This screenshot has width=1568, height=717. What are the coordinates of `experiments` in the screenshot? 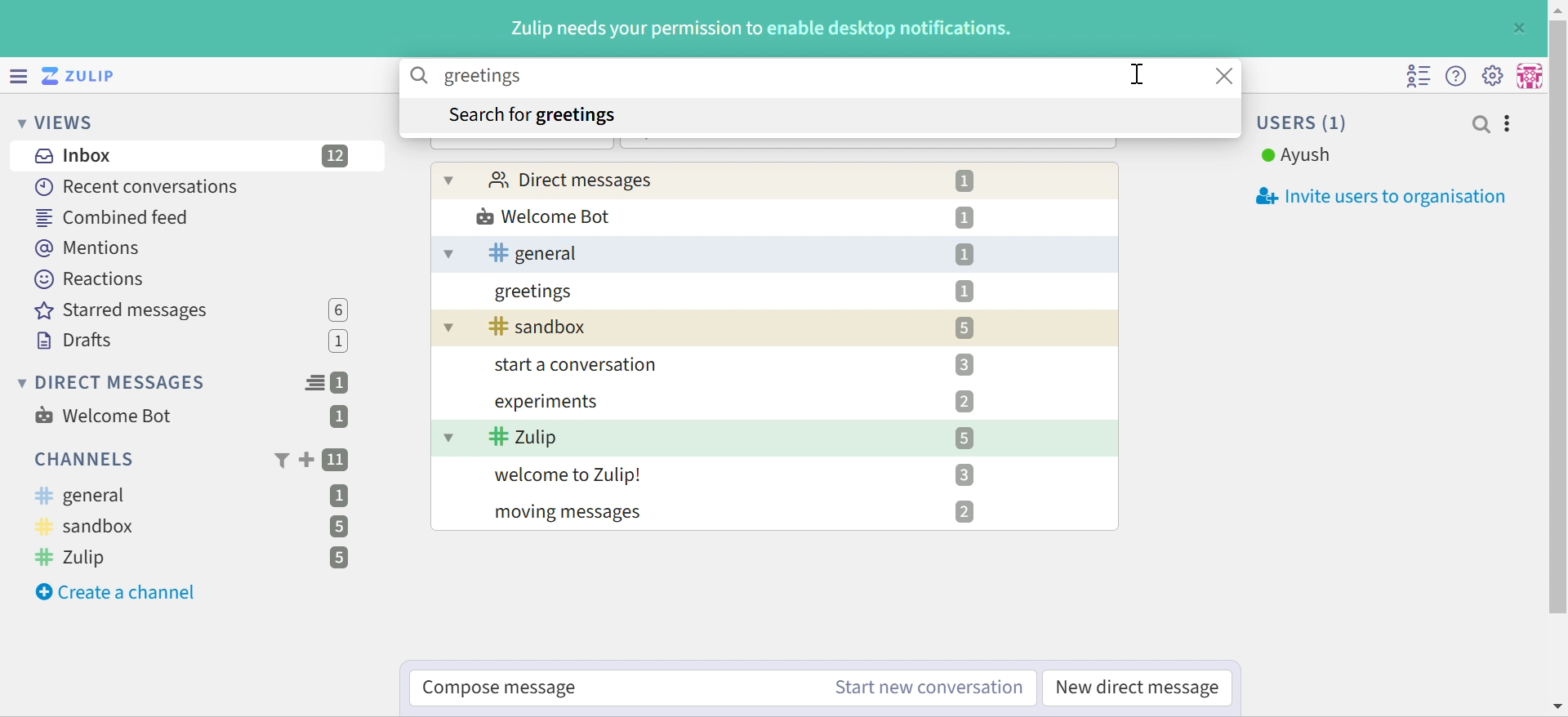 It's located at (549, 401).